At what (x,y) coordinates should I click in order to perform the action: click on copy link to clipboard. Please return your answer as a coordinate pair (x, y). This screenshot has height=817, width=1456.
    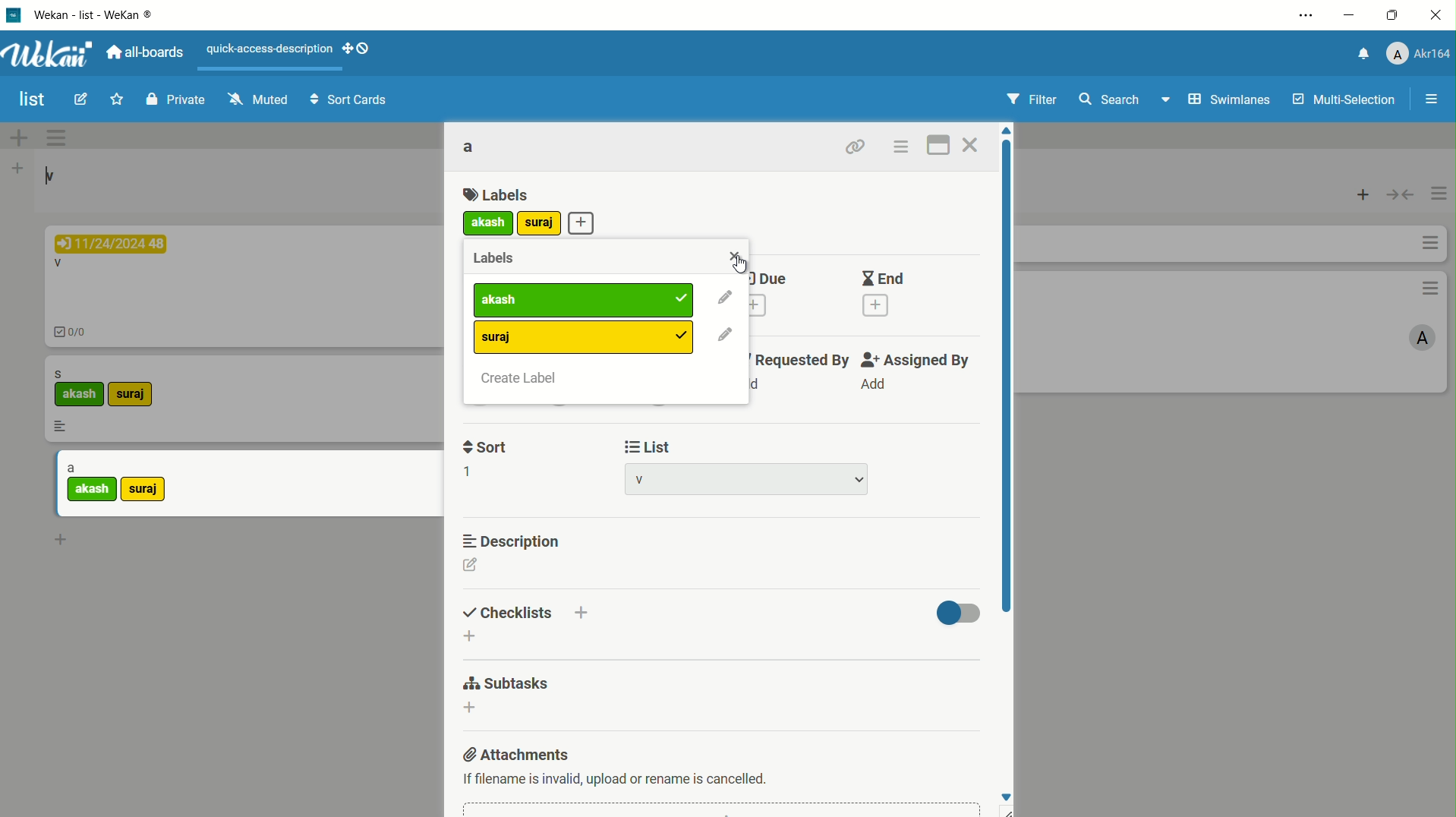
    Looking at the image, I should click on (852, 147).